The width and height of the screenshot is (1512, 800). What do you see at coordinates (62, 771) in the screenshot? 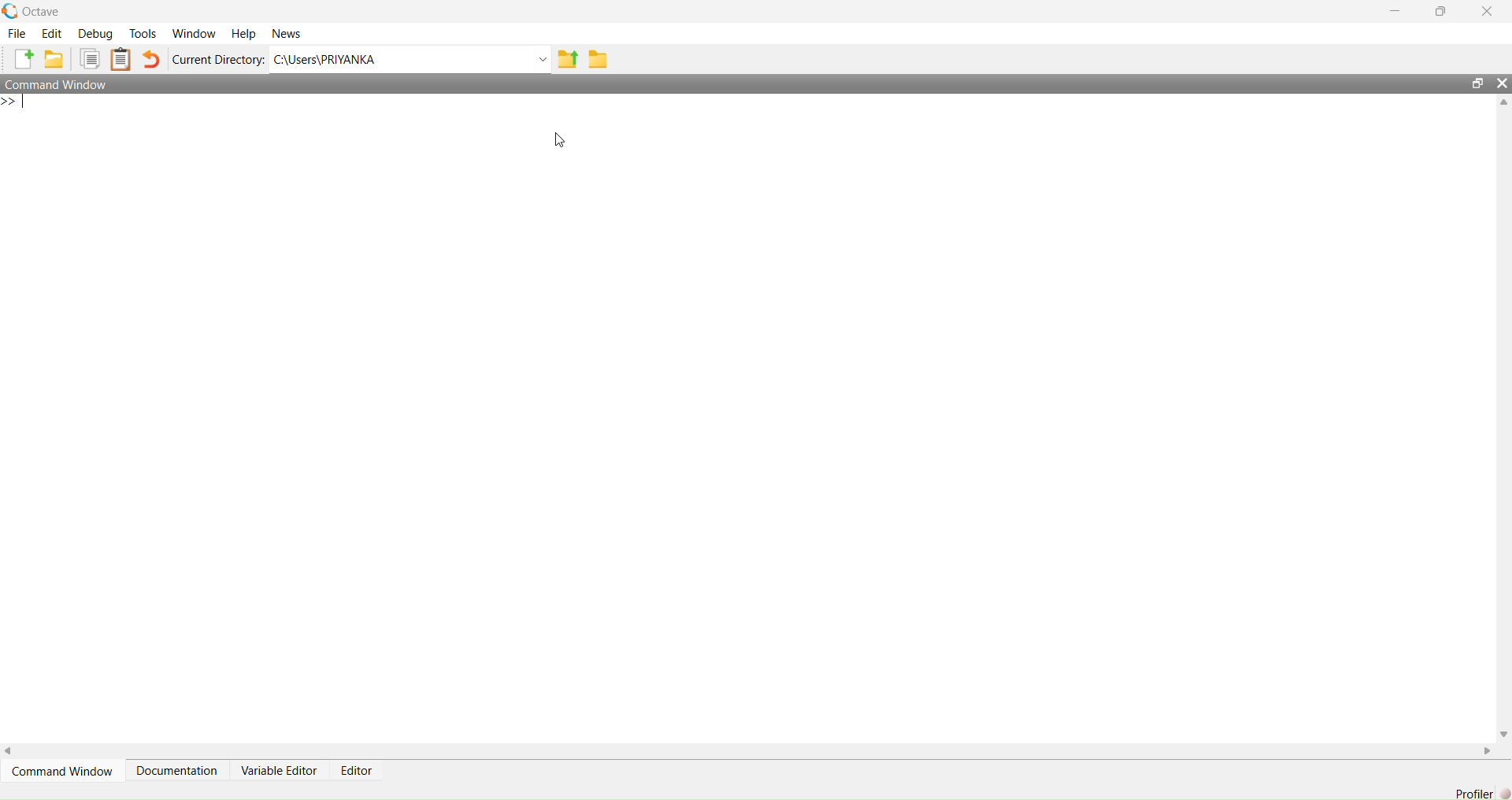
I see `Command Window` at bounding box center [62, 771].